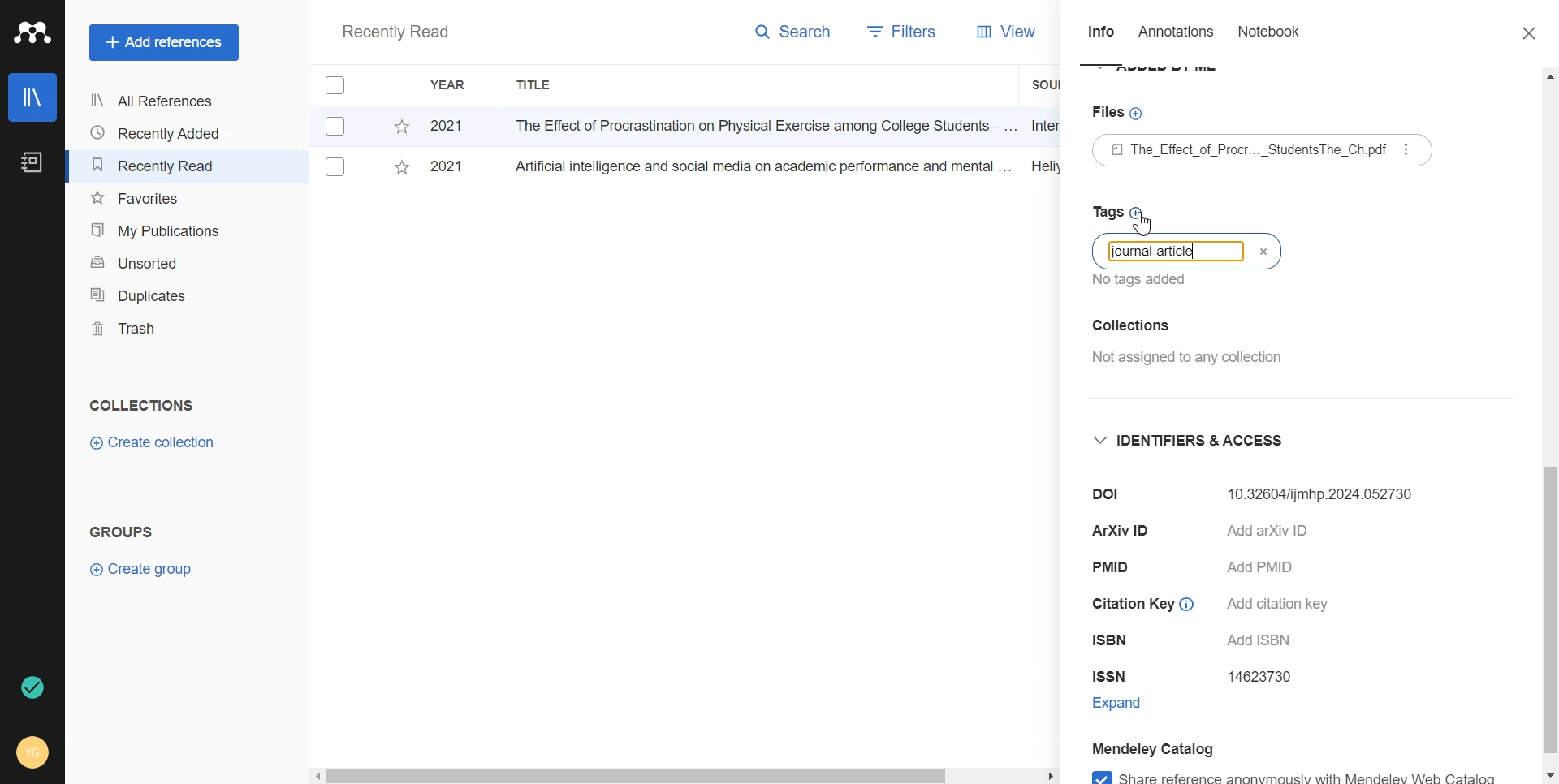  I want to click on Favourites, so click(160, 199).